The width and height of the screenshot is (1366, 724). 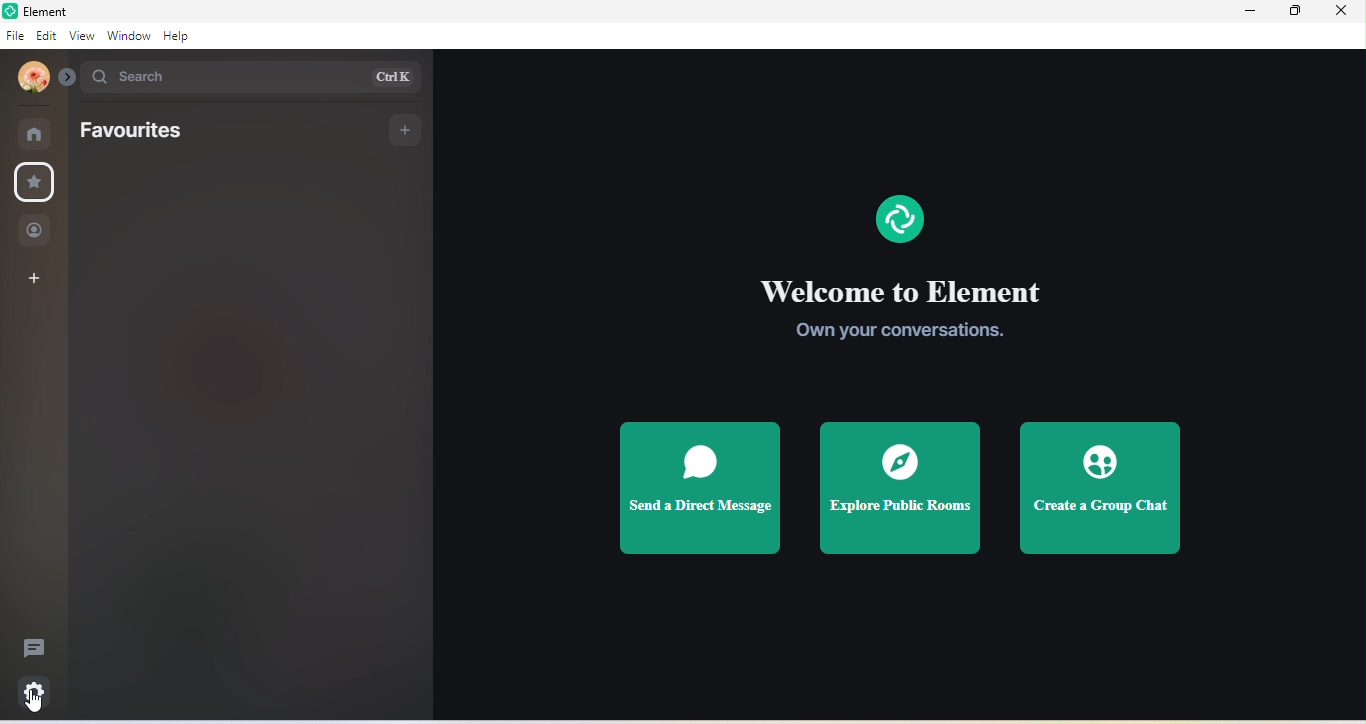 I want to click on add, so click(x=409, y=131).